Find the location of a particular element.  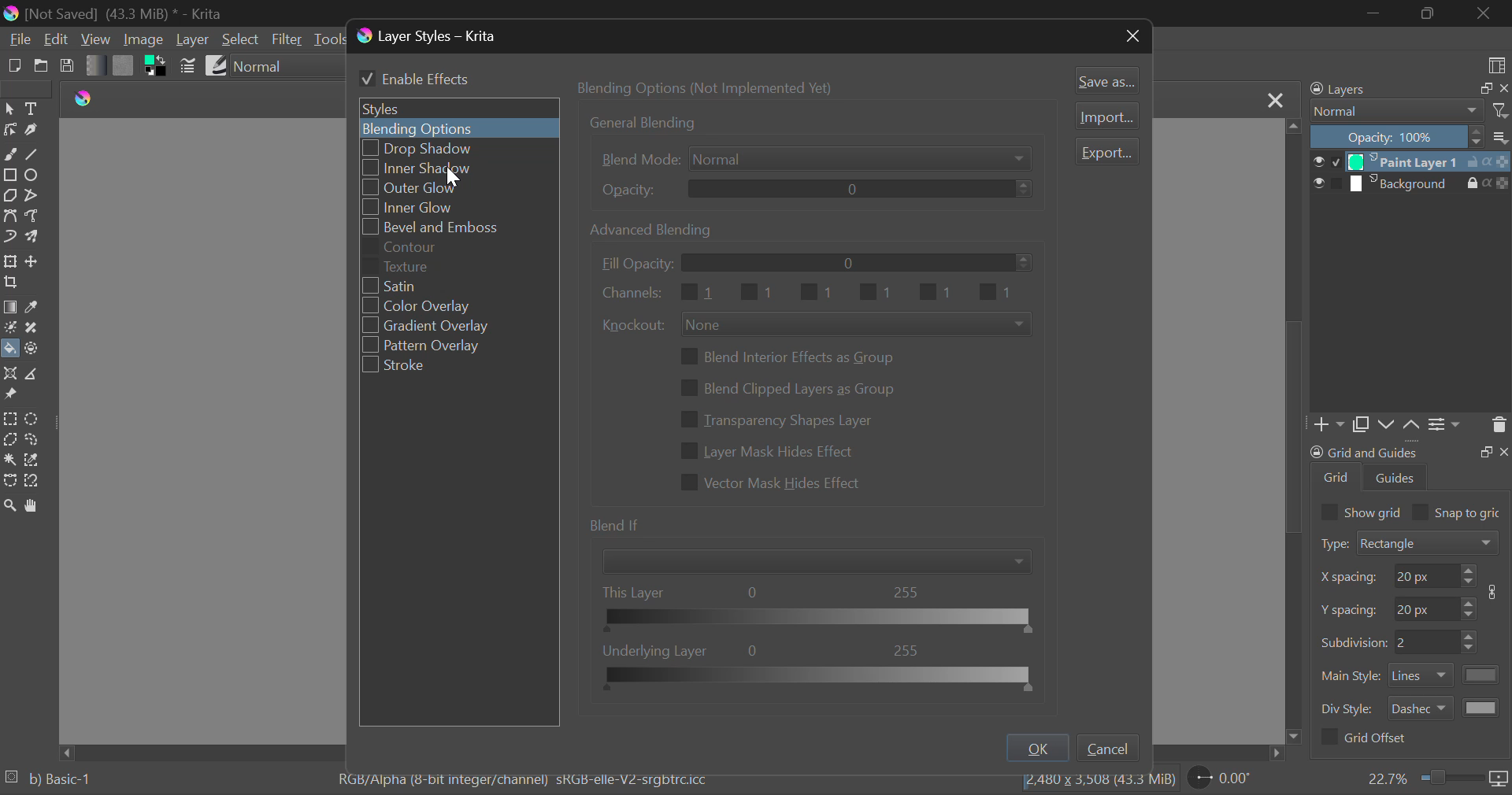

file size is located at coordinates (1132, 775).